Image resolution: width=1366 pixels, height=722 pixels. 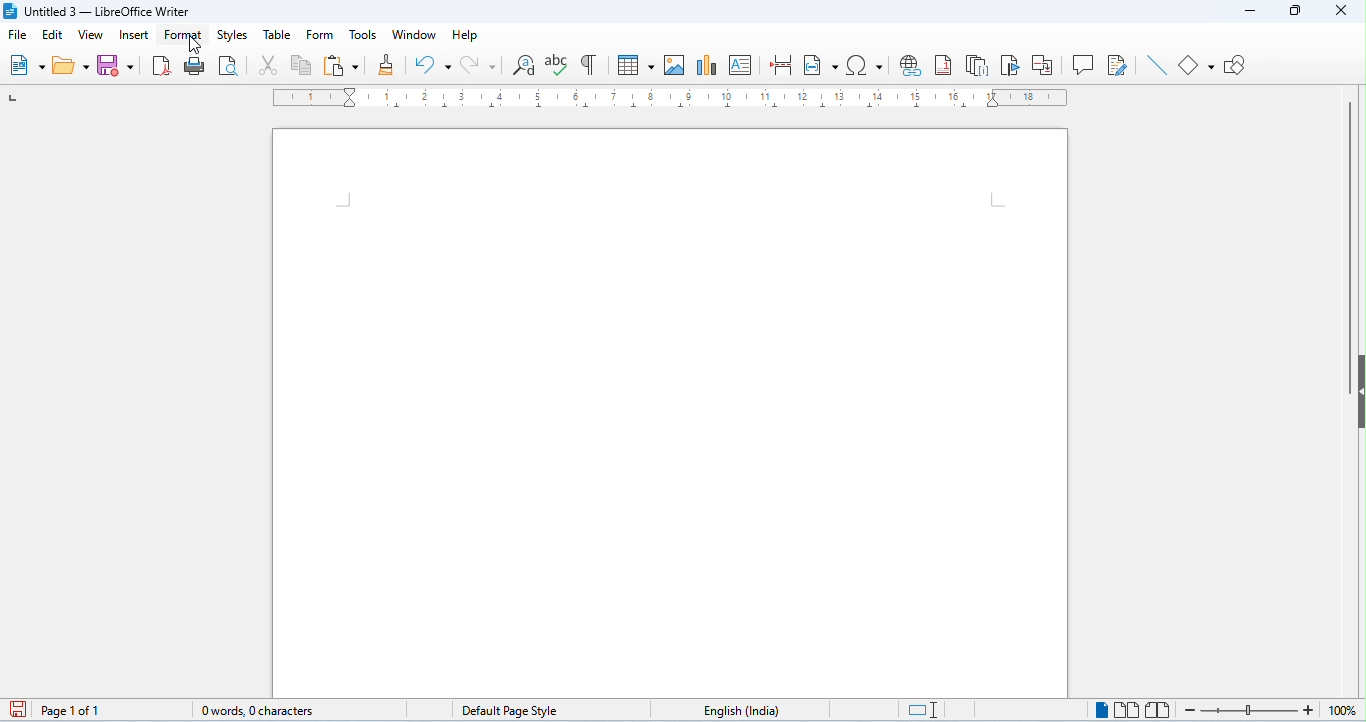 What do you see at coordinates (1290, 11) in the screenshot?
I see `maximize` at bounding box center [1290, 11].